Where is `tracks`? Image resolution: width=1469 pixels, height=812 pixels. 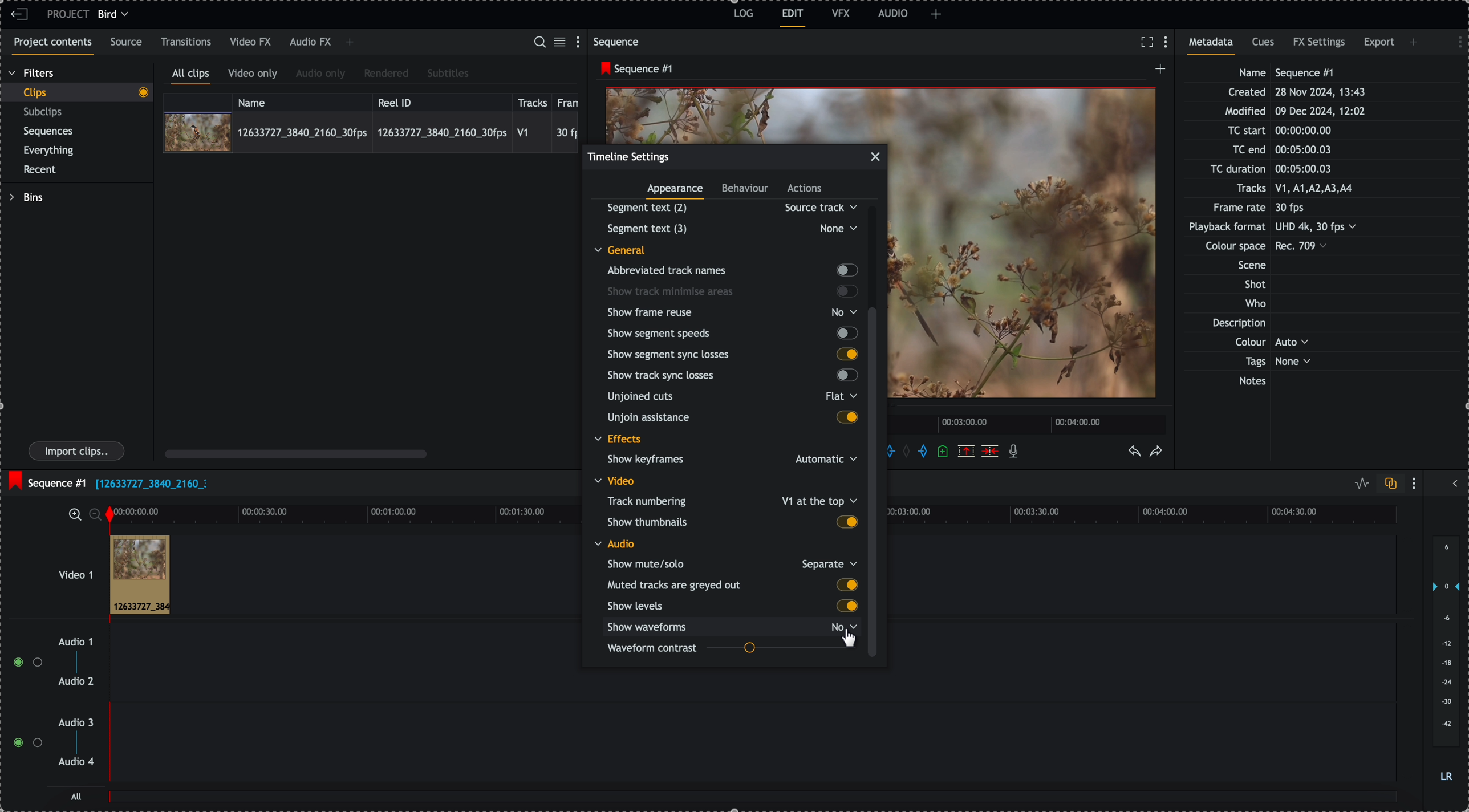
tracks is located at coordinates (533, 101).